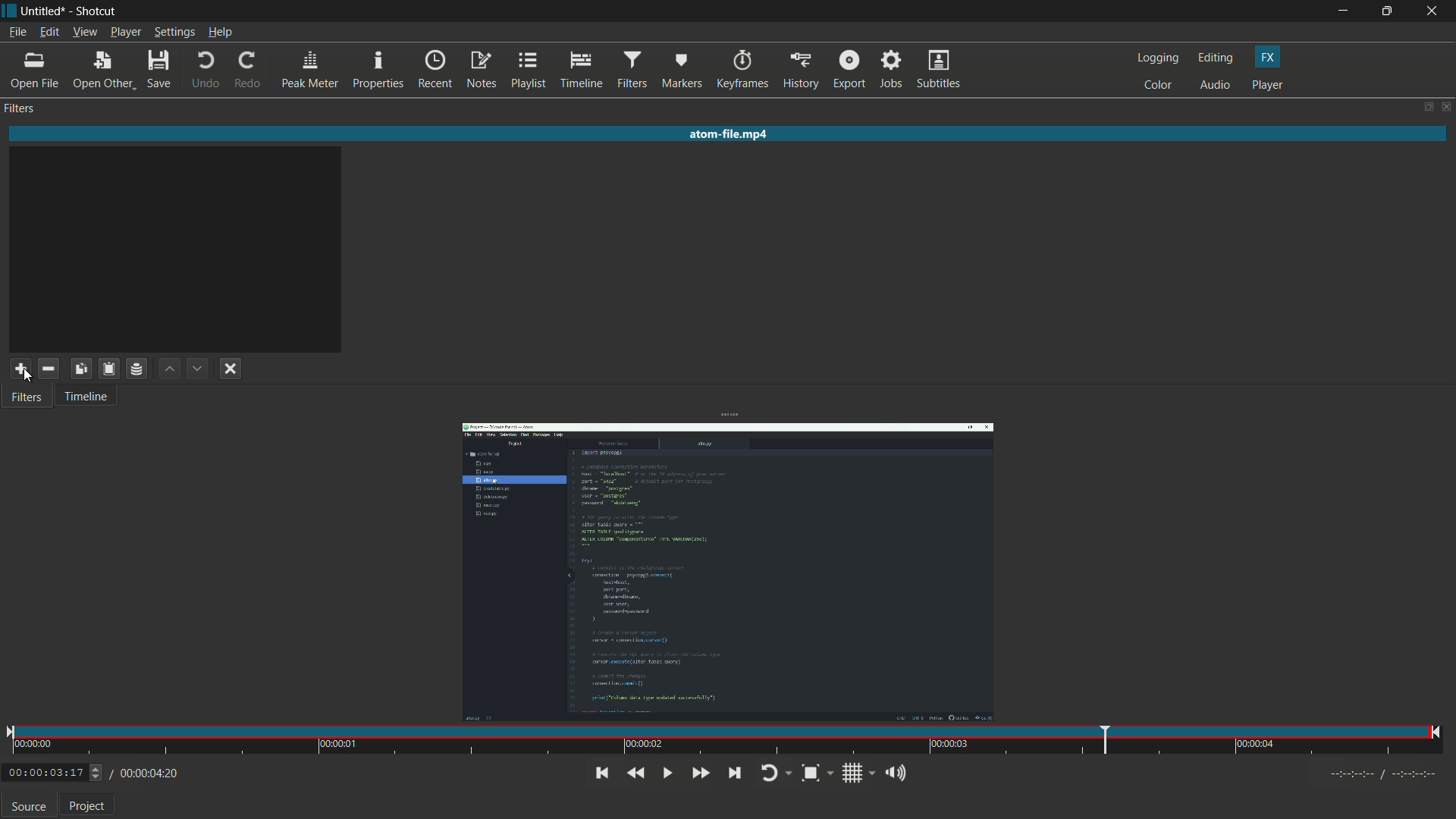  I want to click on remove selected filter, so click(49, 369).